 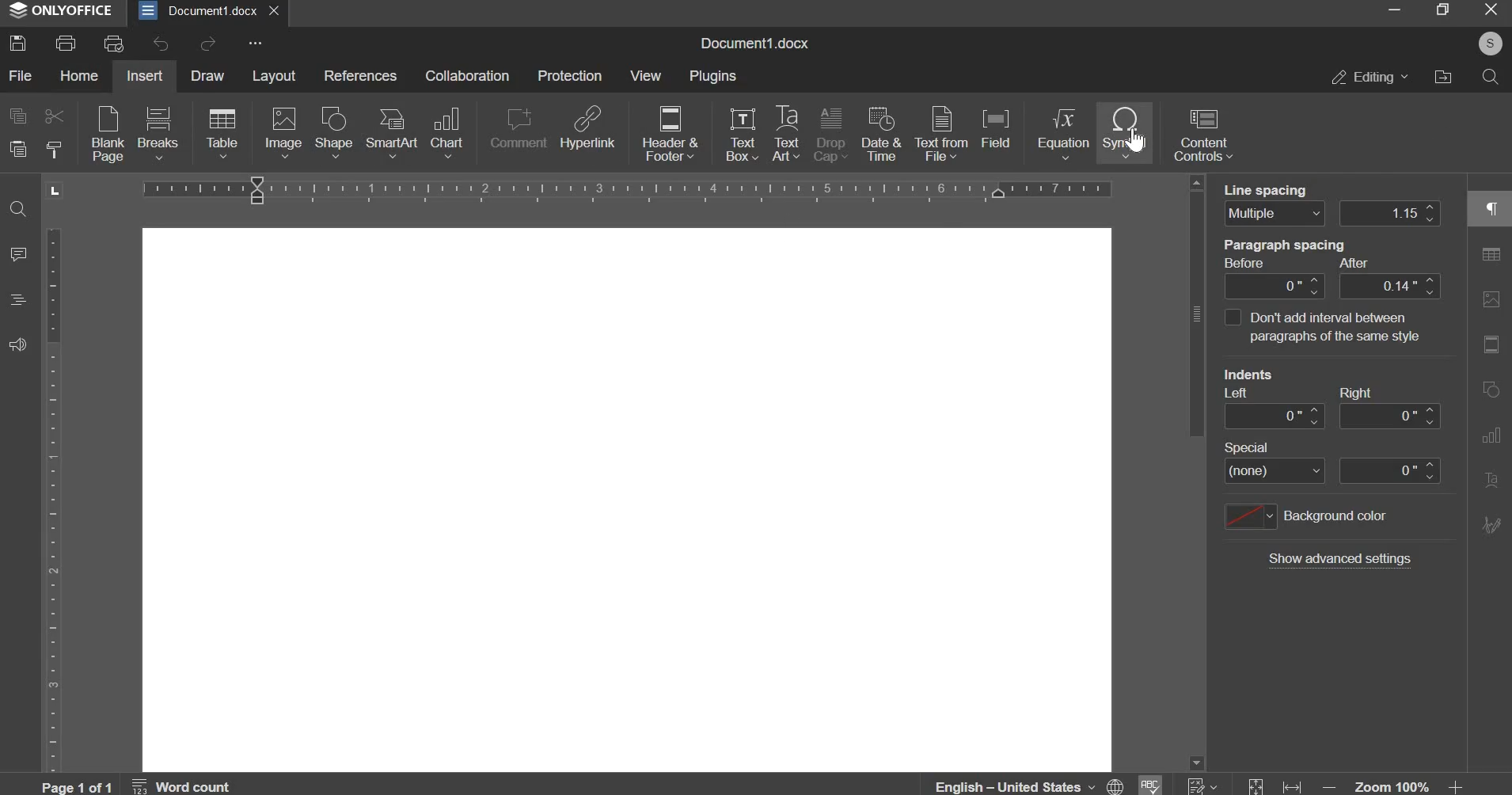 What do you see at coordinates (1274, 214) in the screenshot?
I see `line spacing` at bounding box center [1274, 214].